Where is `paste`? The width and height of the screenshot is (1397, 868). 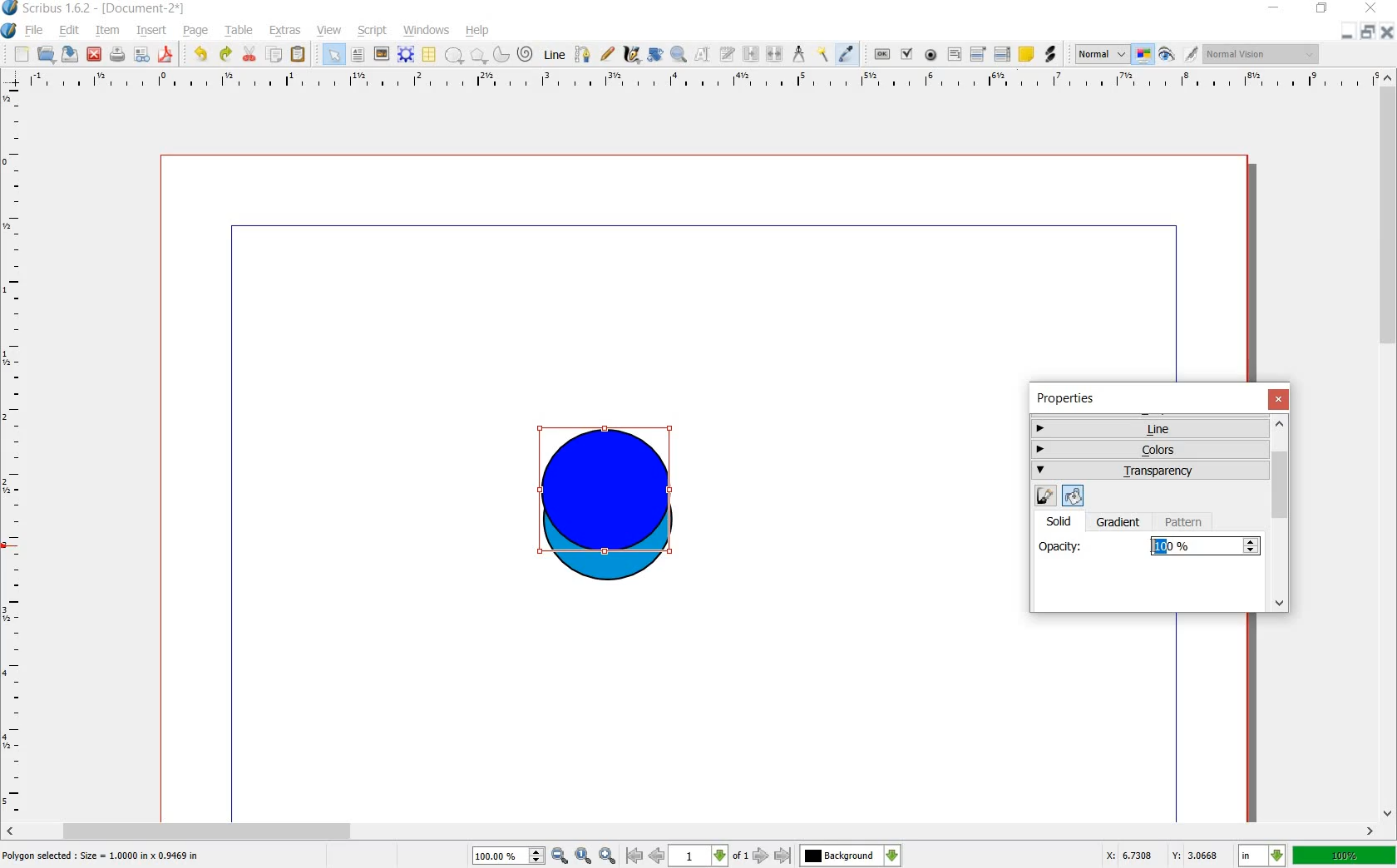 paste is located at coordinates (298, 54).